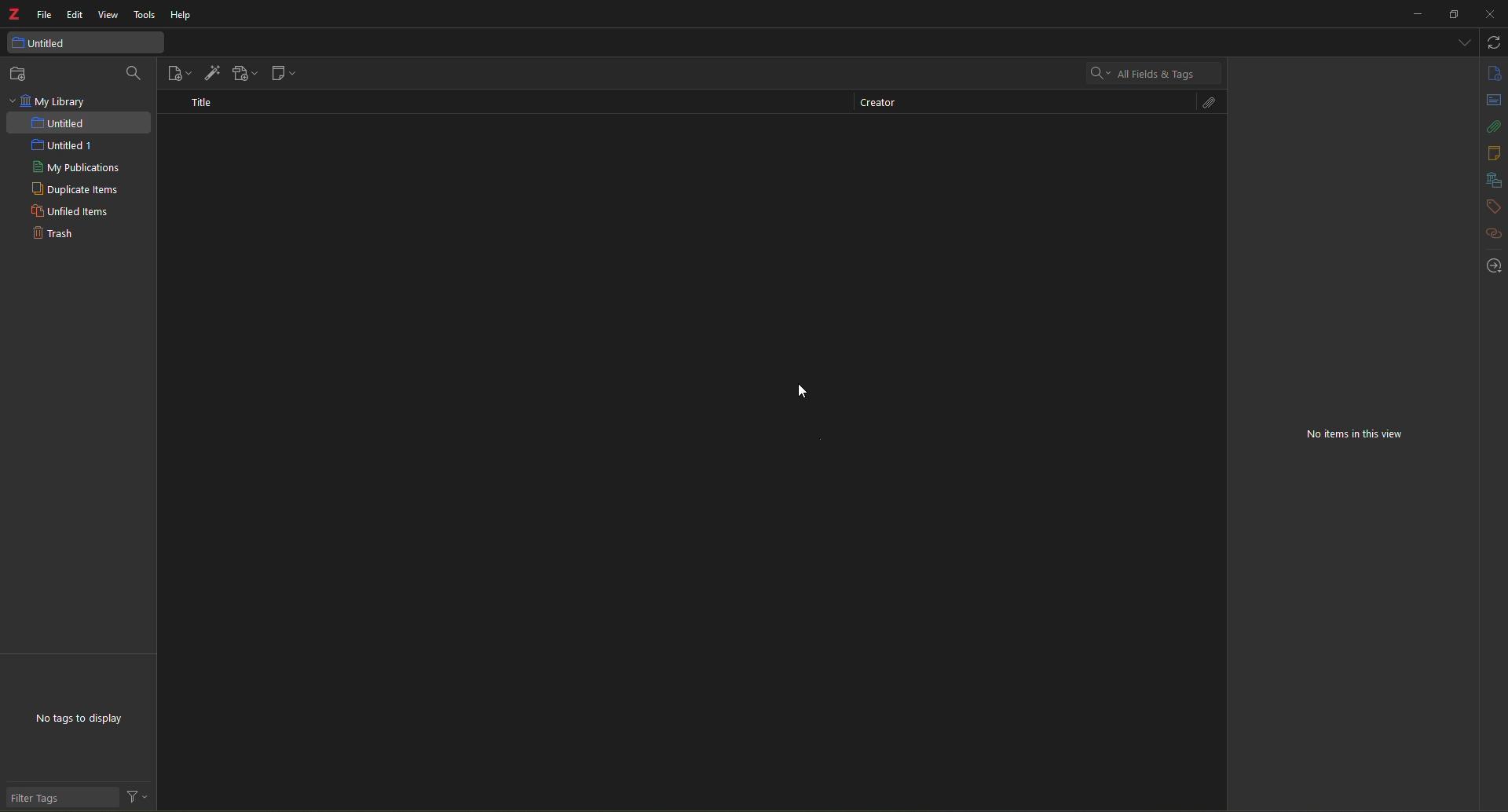  I want to click on duplicate items, so click(71, 191).